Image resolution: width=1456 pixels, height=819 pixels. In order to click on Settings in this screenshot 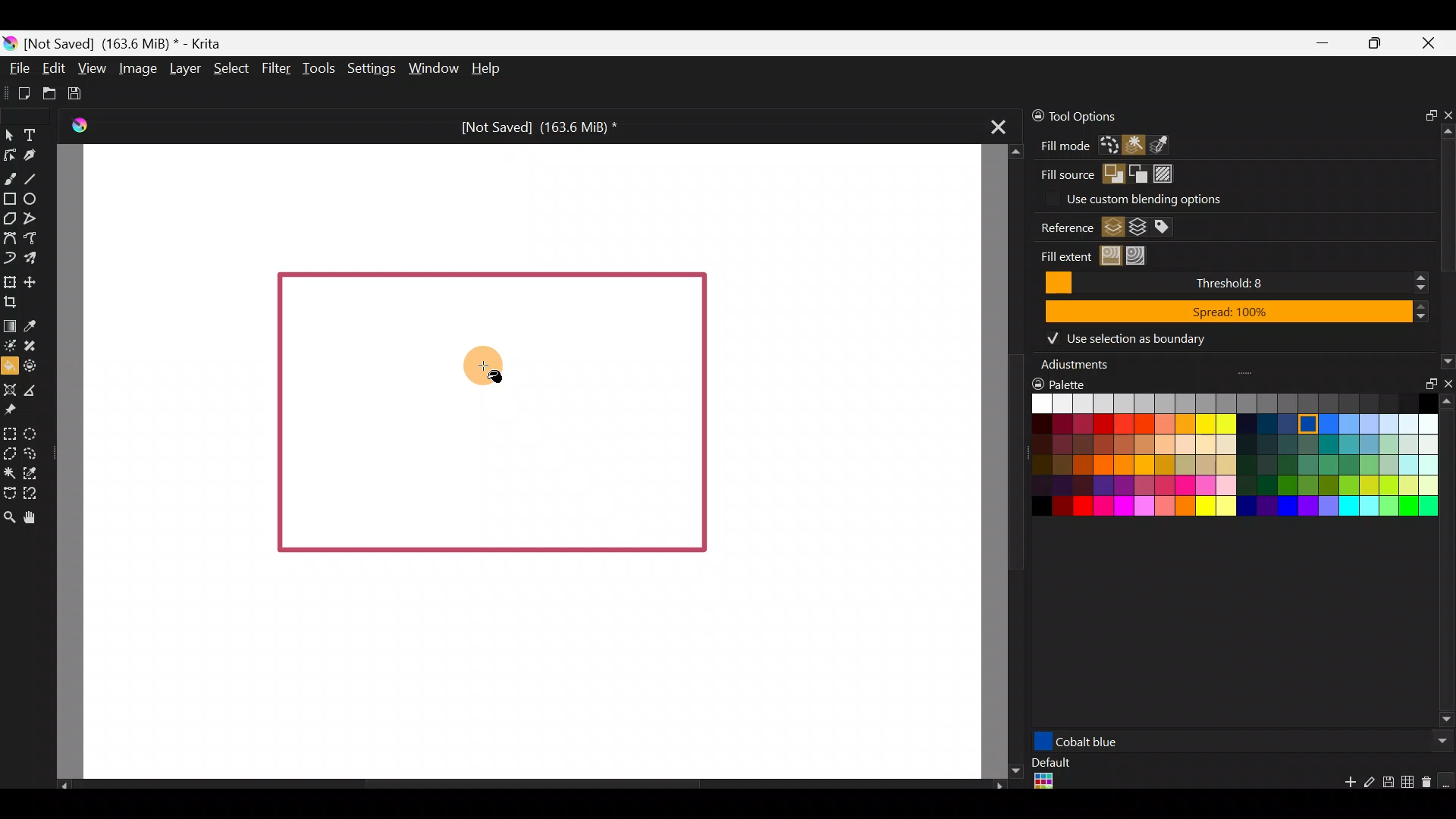, I will do `click(369, 66)`.